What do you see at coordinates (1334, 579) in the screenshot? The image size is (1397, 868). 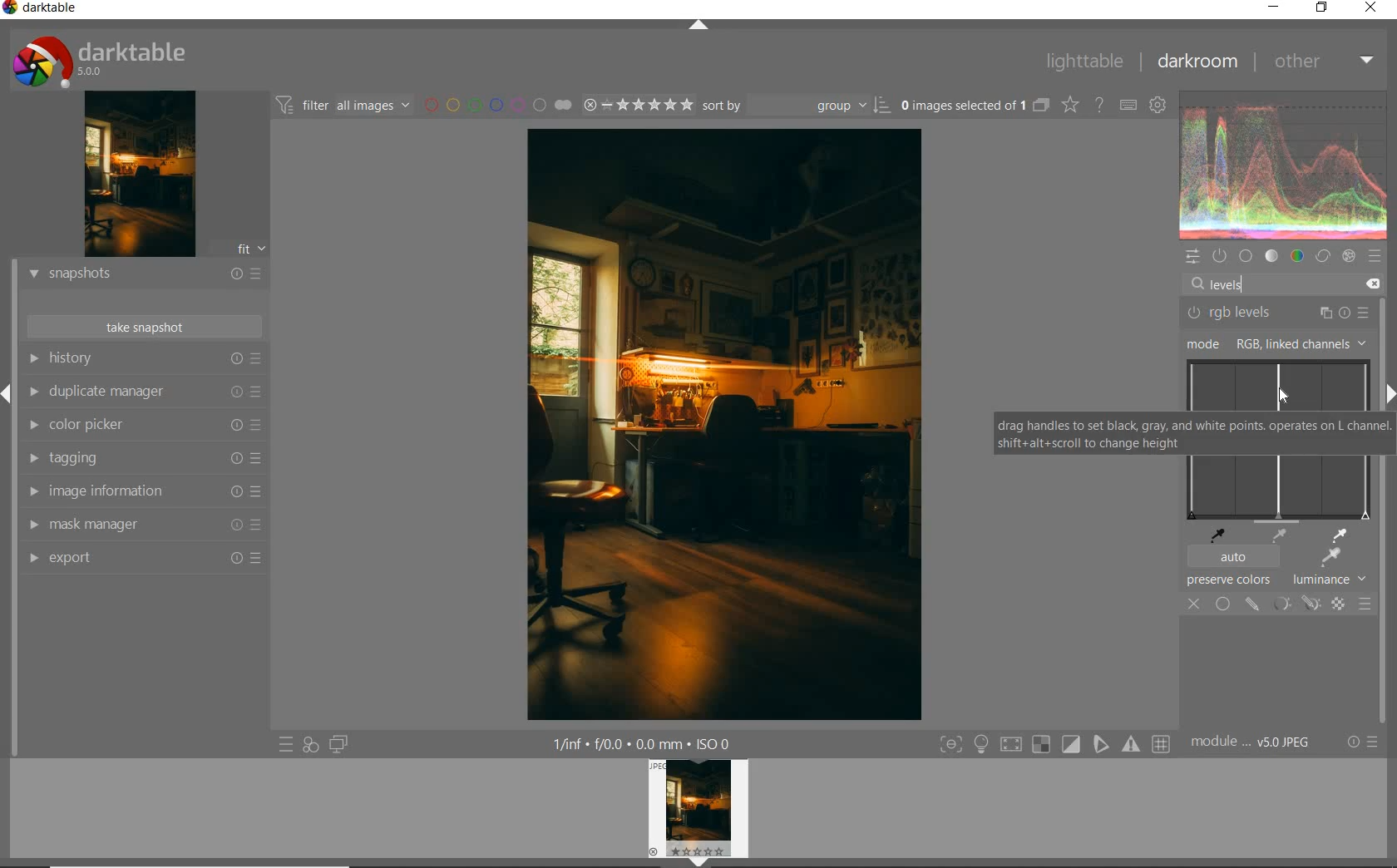 I see `lunminance` at bounding box center [1334, 579].